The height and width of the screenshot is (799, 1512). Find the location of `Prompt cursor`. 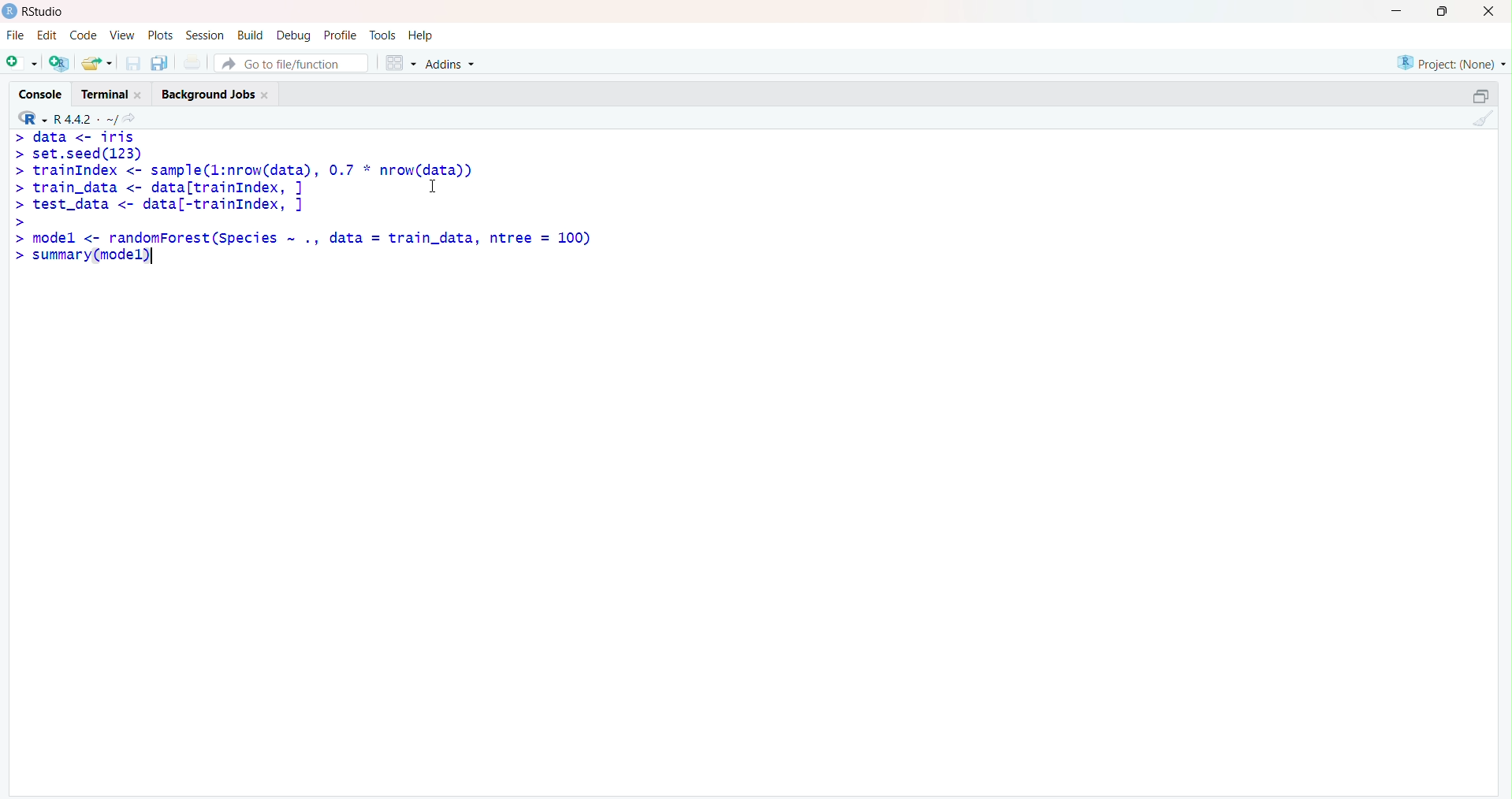

Prompt cursor is located at coordinates (17, 171).